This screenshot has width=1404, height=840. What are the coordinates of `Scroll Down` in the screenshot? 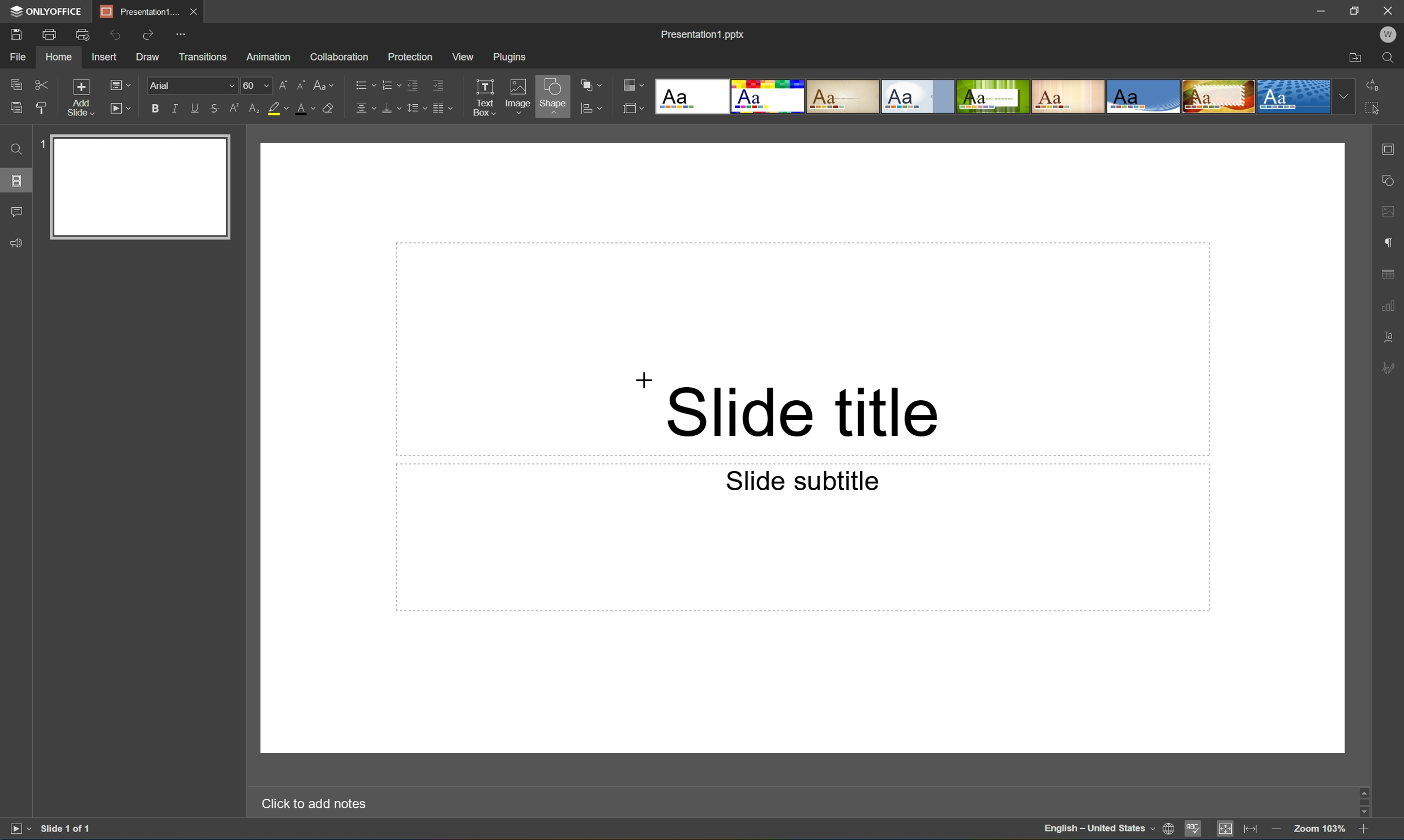 It's located at (1361, 816).